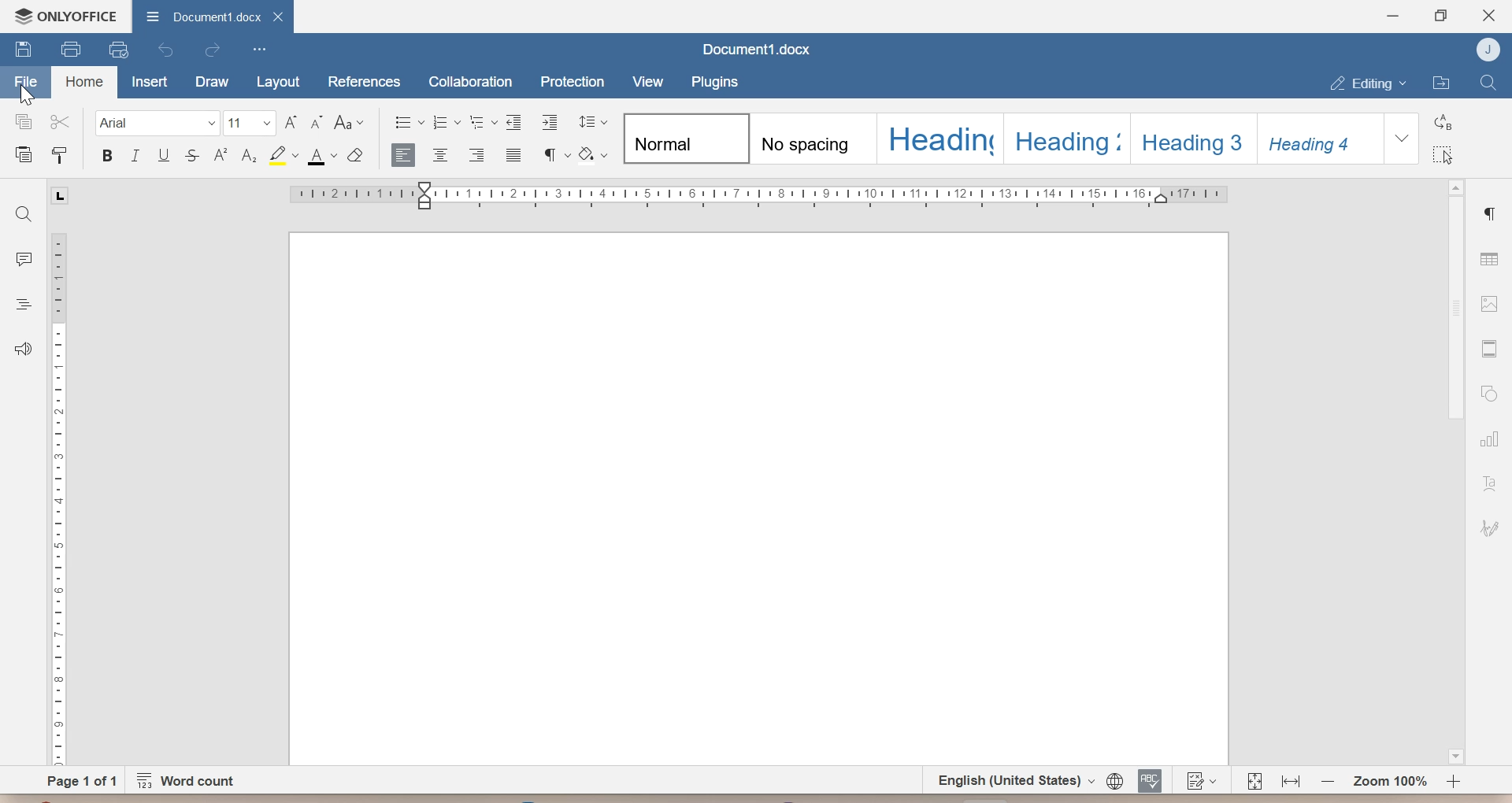 This screenshot has height=803, width=1512. I want to click on Decrease indent, so click(516, 121).